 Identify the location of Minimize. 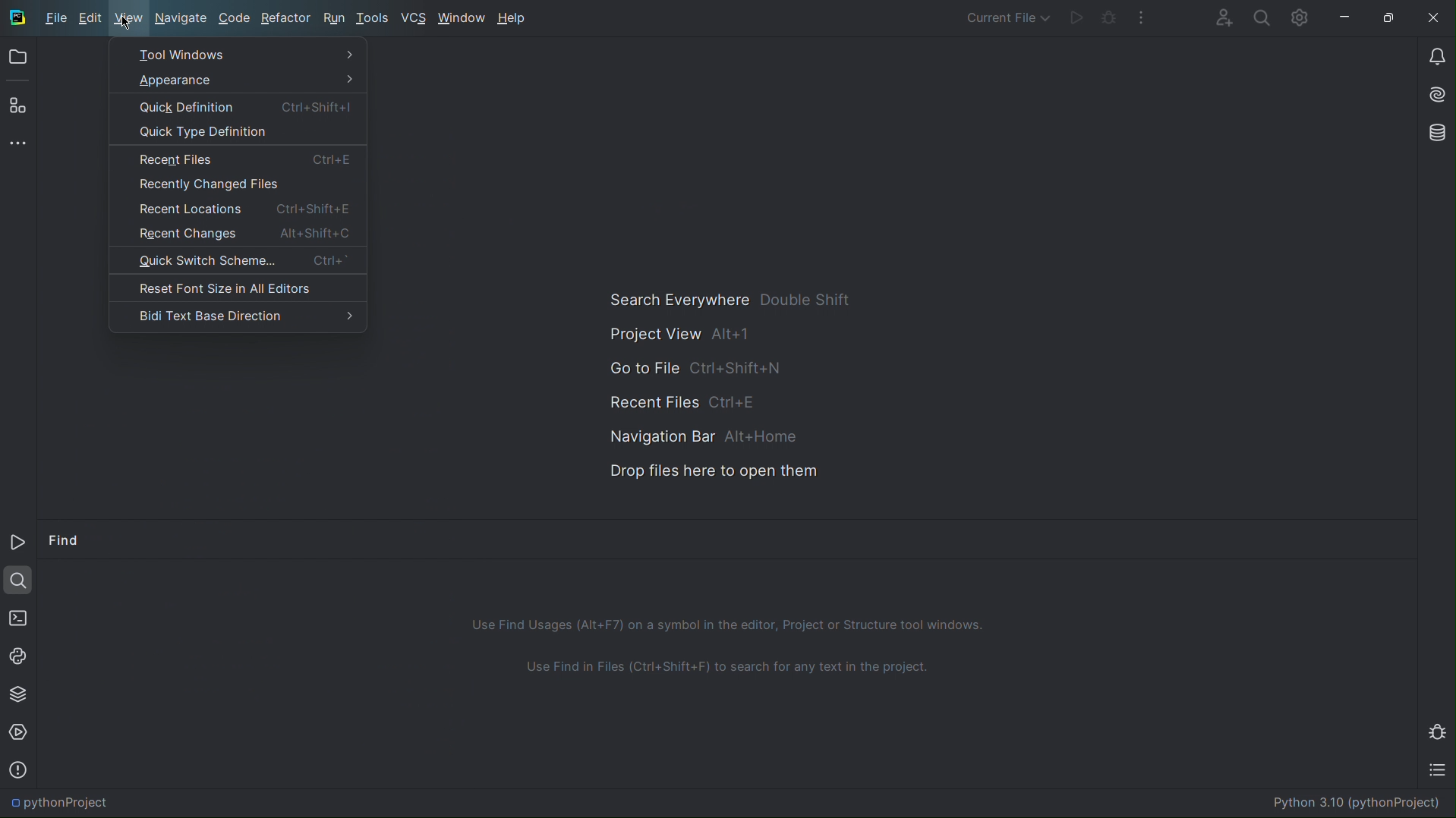
(1399, 537).